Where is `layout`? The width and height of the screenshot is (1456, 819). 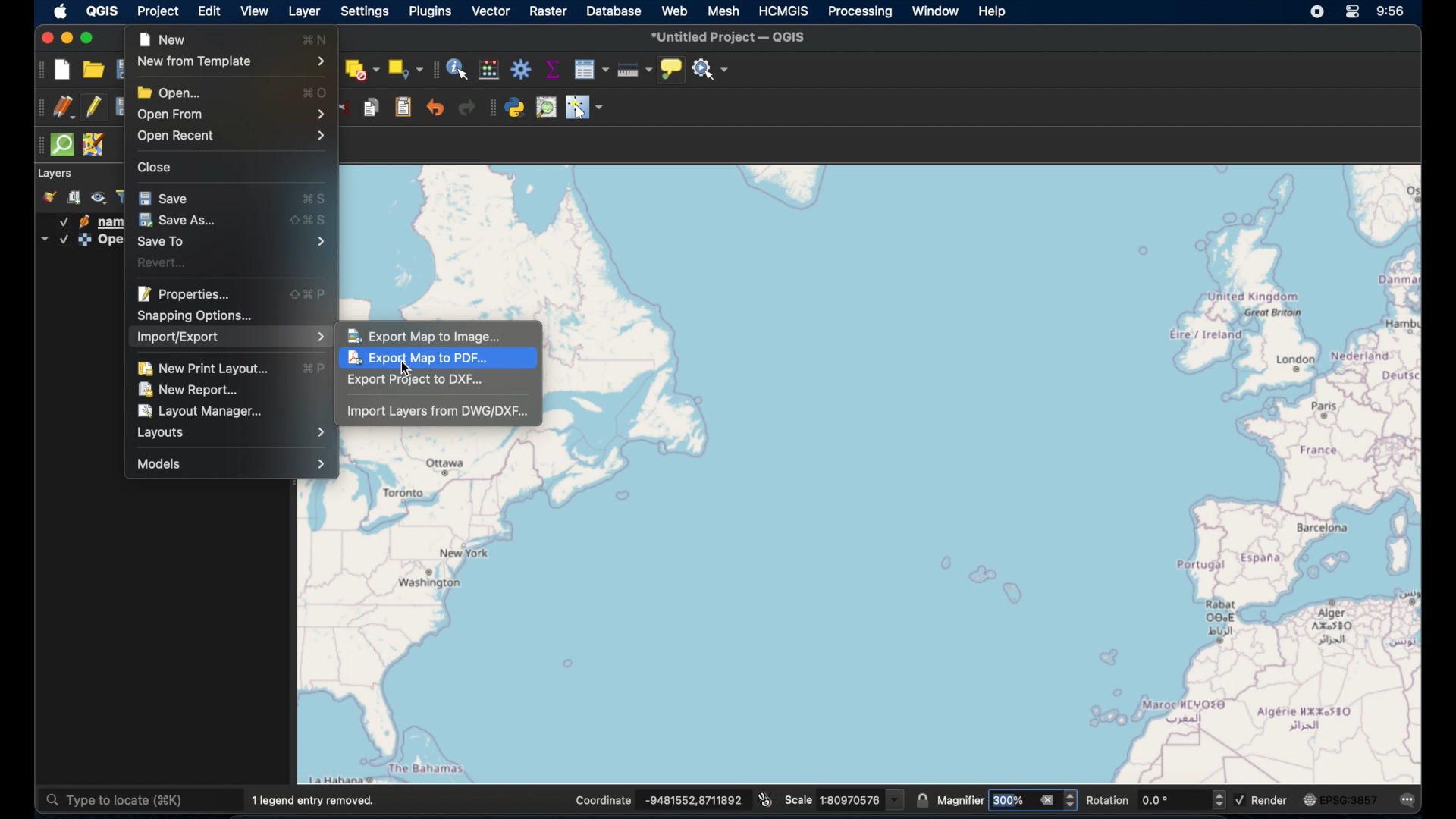 layout is located at coordinates (233, 433).